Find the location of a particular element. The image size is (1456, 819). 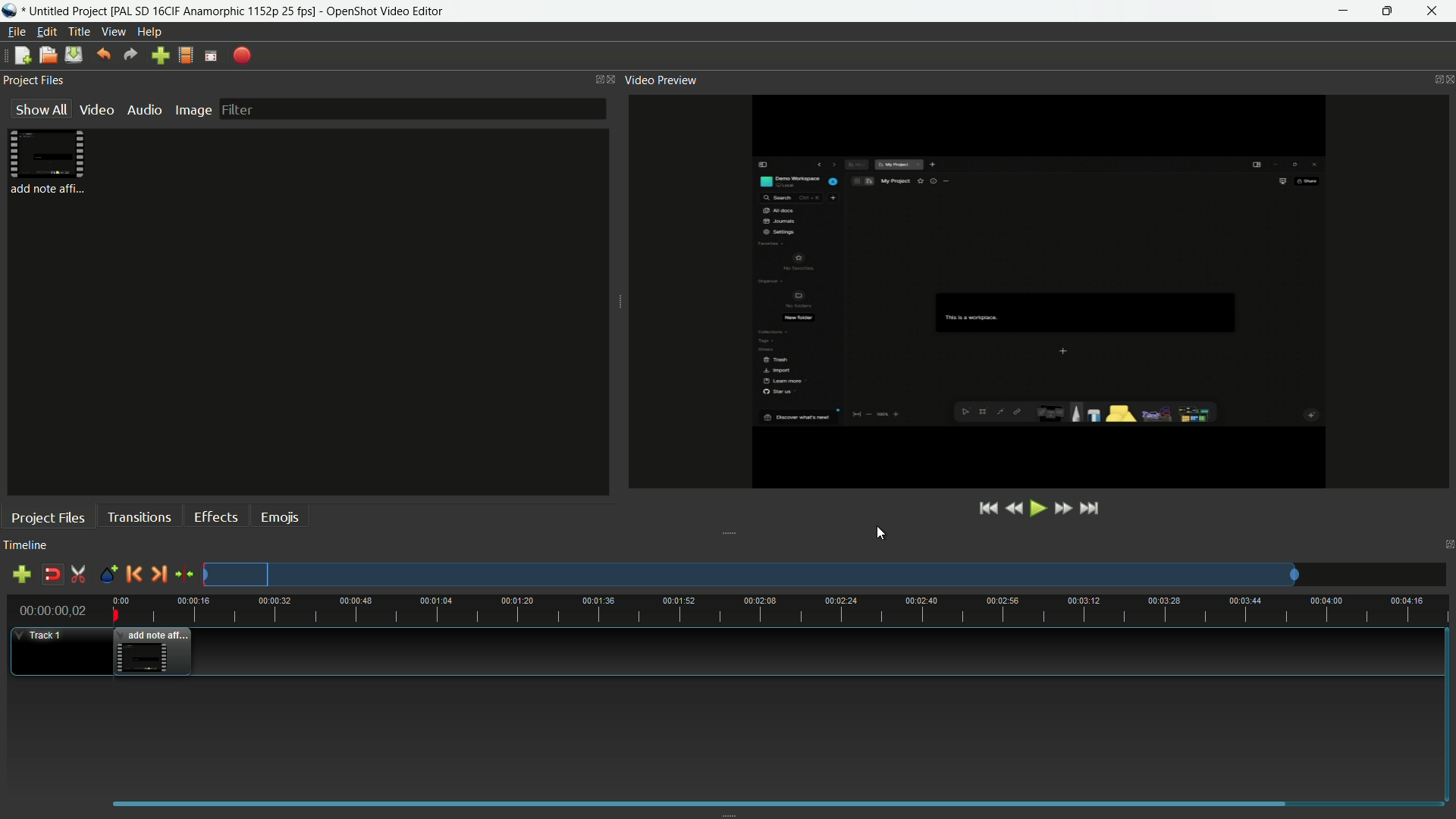

jump to start is located at coordinates (988, 509).